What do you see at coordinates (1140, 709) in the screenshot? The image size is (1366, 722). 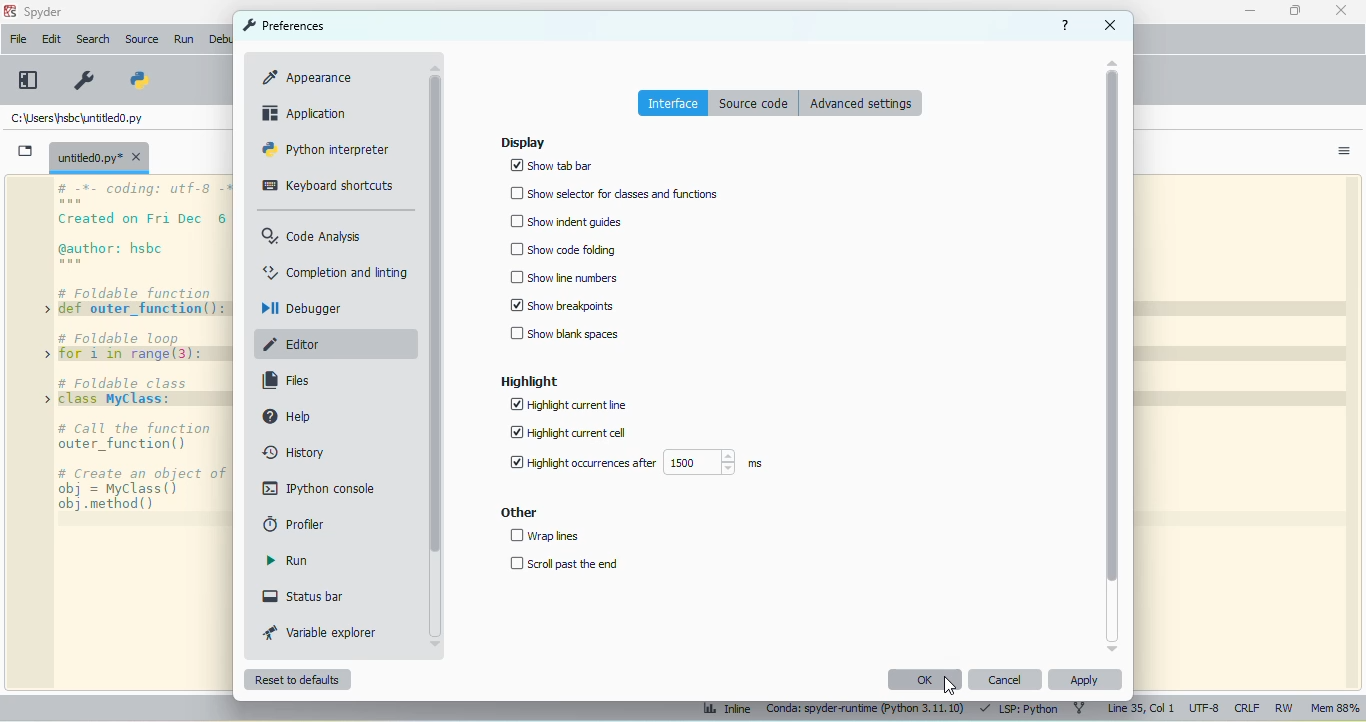 I see `line 35, col 1` at bounding box center [1140, 709].